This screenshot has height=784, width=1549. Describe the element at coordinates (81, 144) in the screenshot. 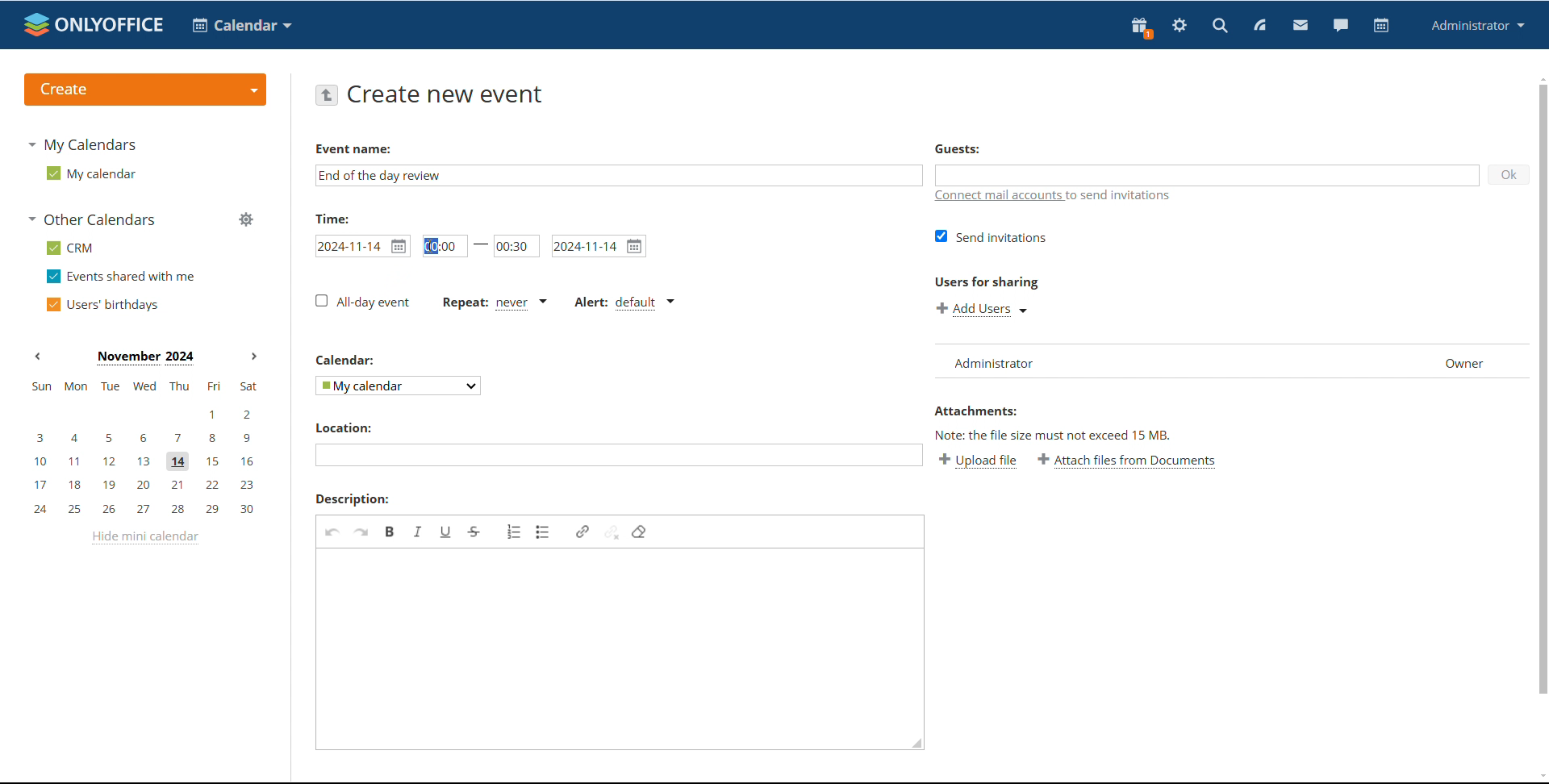

I see `my calendars` at that location.